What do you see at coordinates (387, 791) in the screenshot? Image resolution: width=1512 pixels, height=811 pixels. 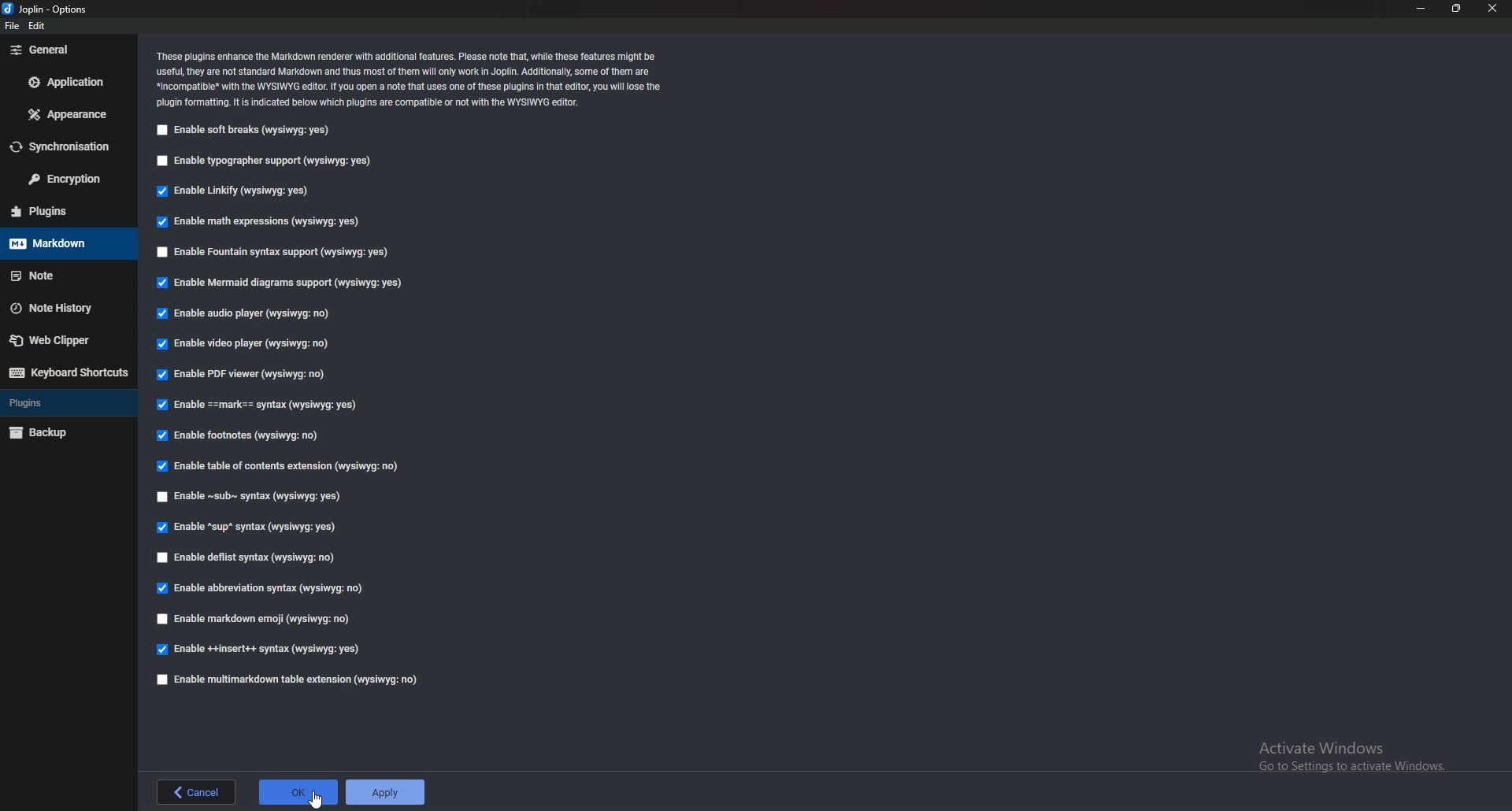 I see `apply` at bounding box center [387, 791].